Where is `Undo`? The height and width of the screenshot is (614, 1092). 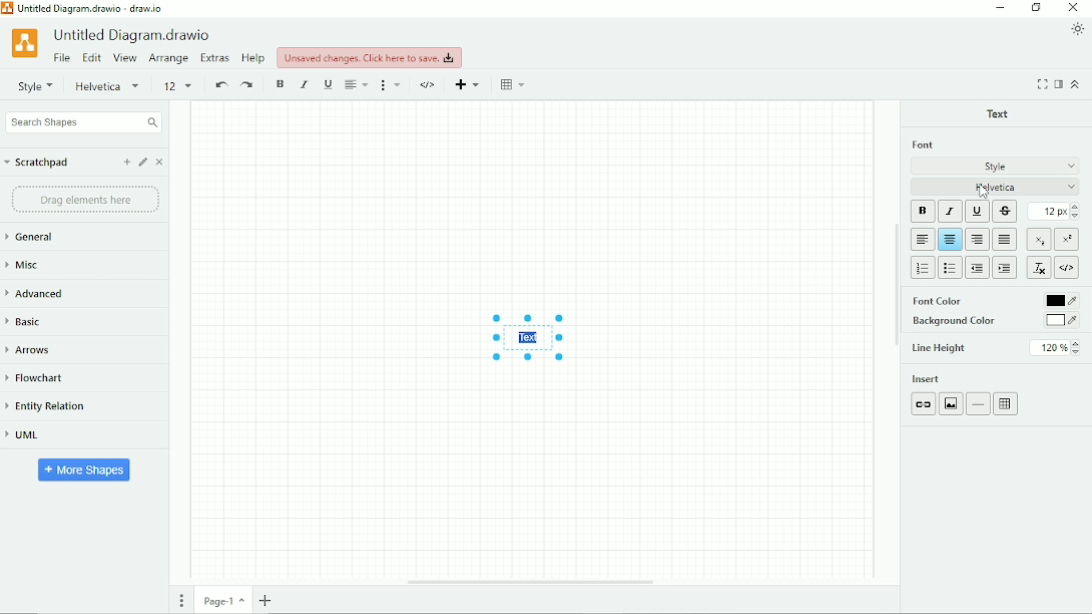
Undo is located at coordinates (220, 85).